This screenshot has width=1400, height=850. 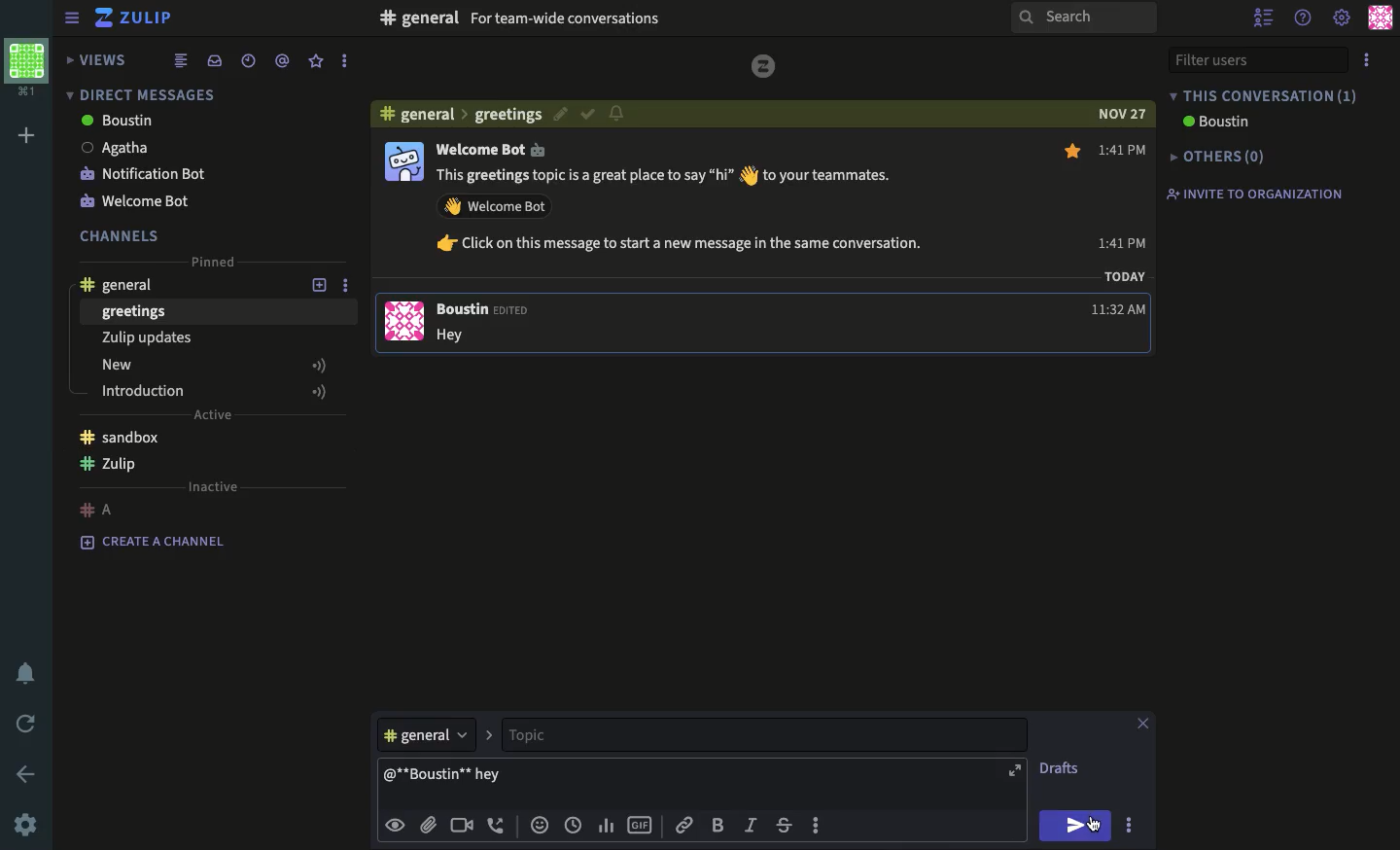 What do you see at coordinates (751, 826) in the screenshot?
I see `italics` at bounding box center [751, 826].